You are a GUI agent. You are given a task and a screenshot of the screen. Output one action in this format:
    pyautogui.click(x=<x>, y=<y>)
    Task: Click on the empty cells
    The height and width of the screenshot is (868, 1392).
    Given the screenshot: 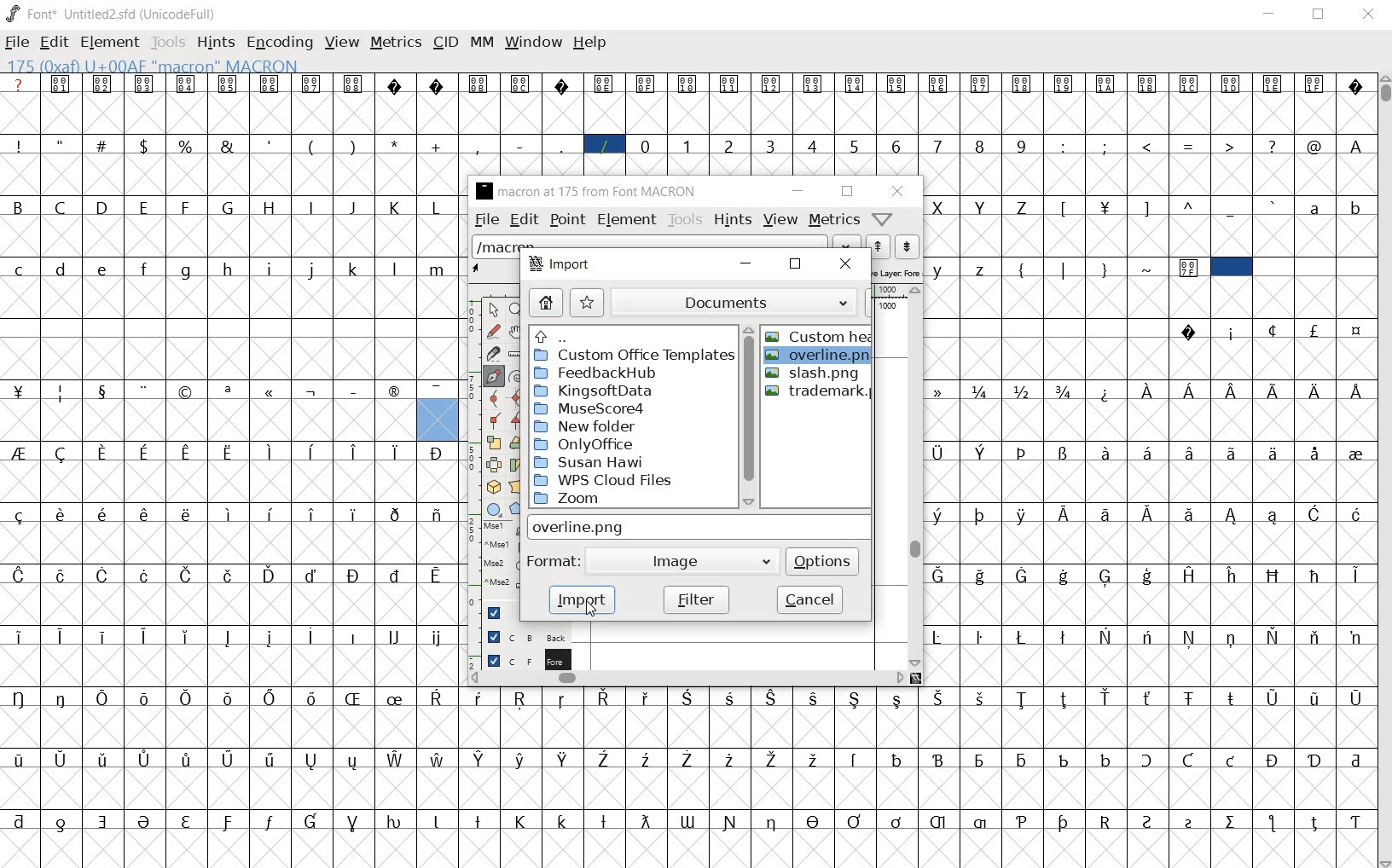 What is the action you would take?
    pyautogui.click(x=229, y=327)
    